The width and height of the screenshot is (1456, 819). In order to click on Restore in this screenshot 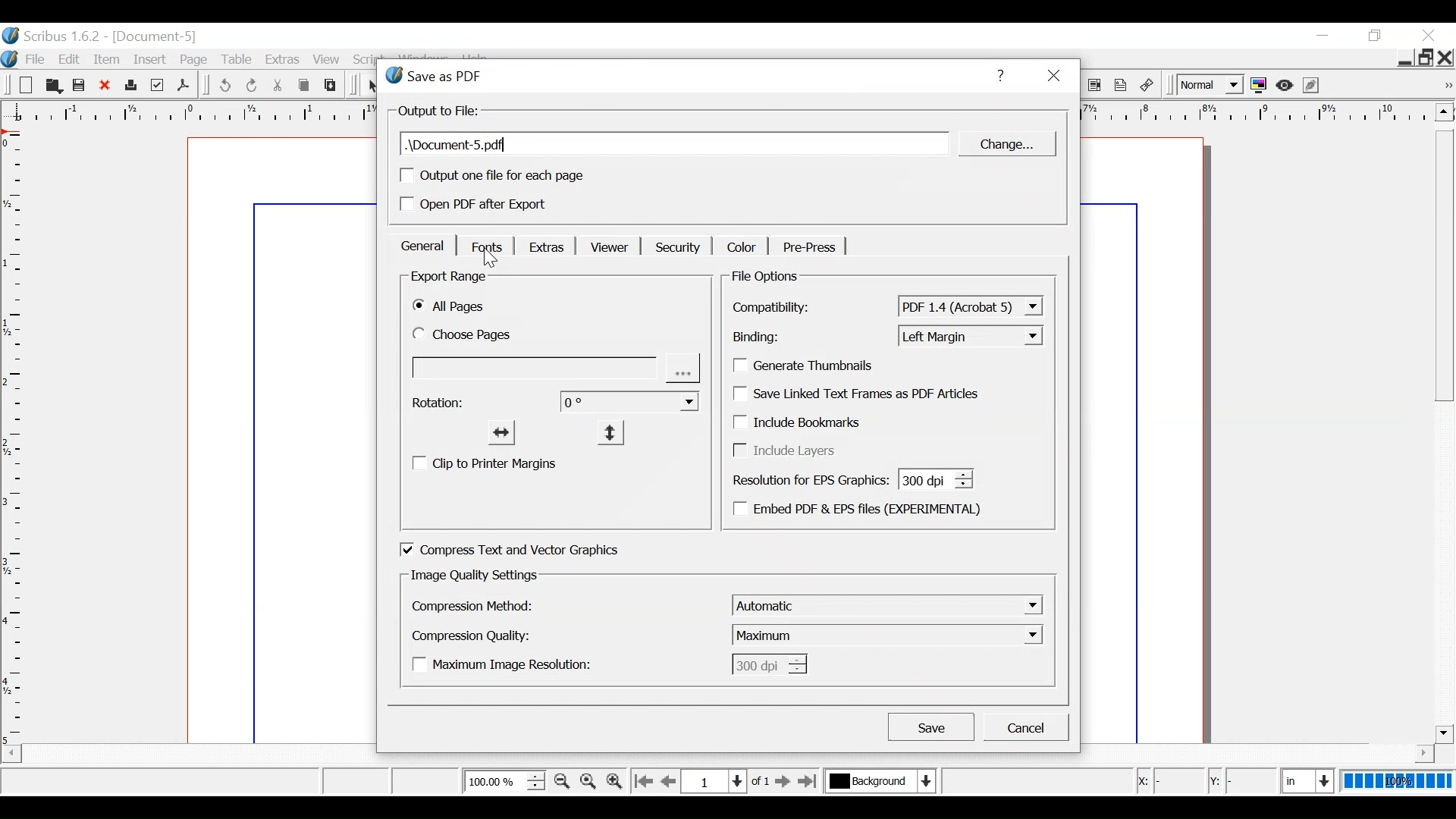, I will do `click(1425, 58)`.